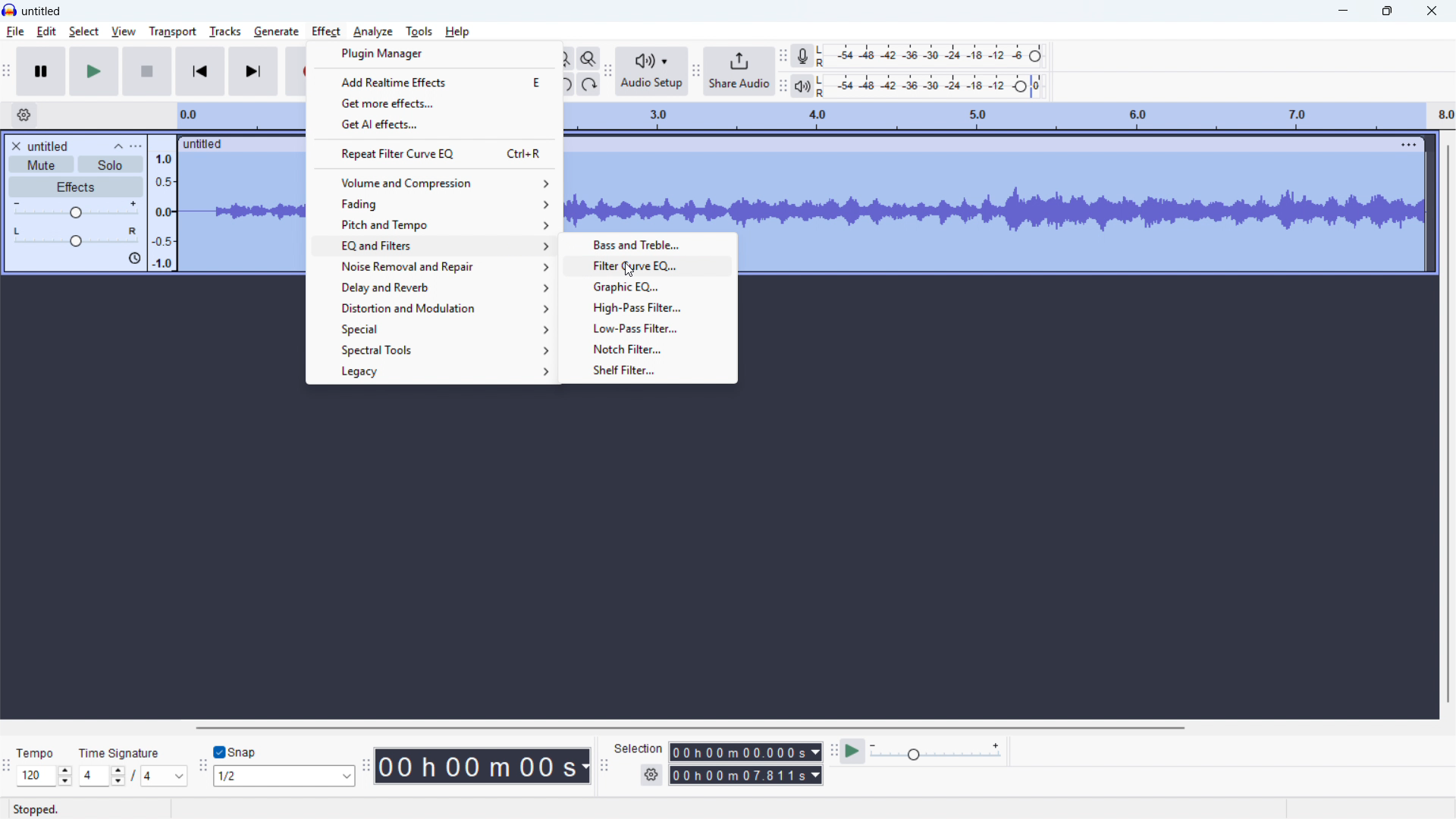 The height and width of the screenshot is (819, 1456). Describe the element at coordinates (36, 810) in the screenshot. I see `stopped.` at that location.